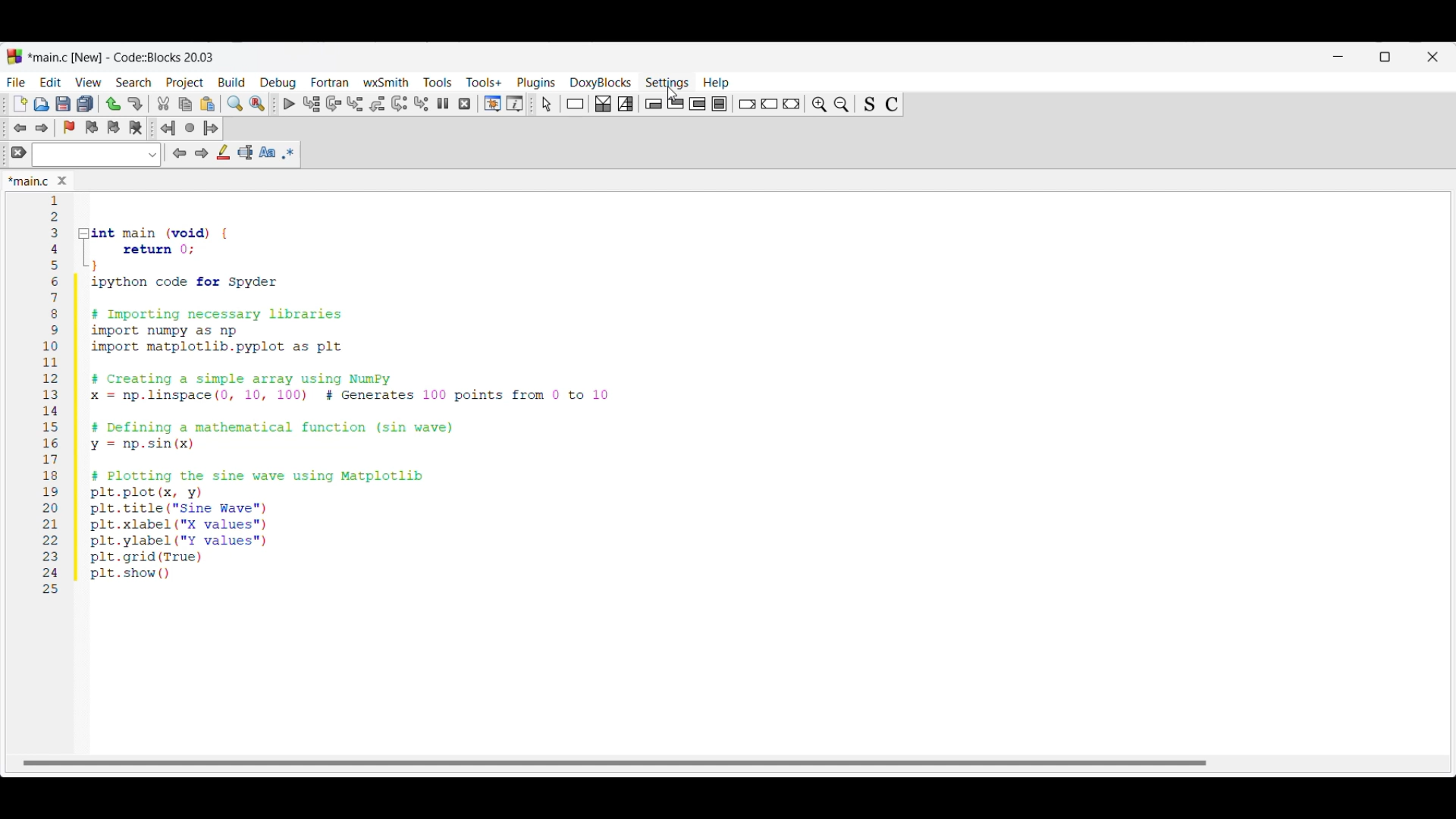 The image size is (1456, 819). Describe the element at coordinates (717, 83) in the screenshot. I see `Help menu` at that location.